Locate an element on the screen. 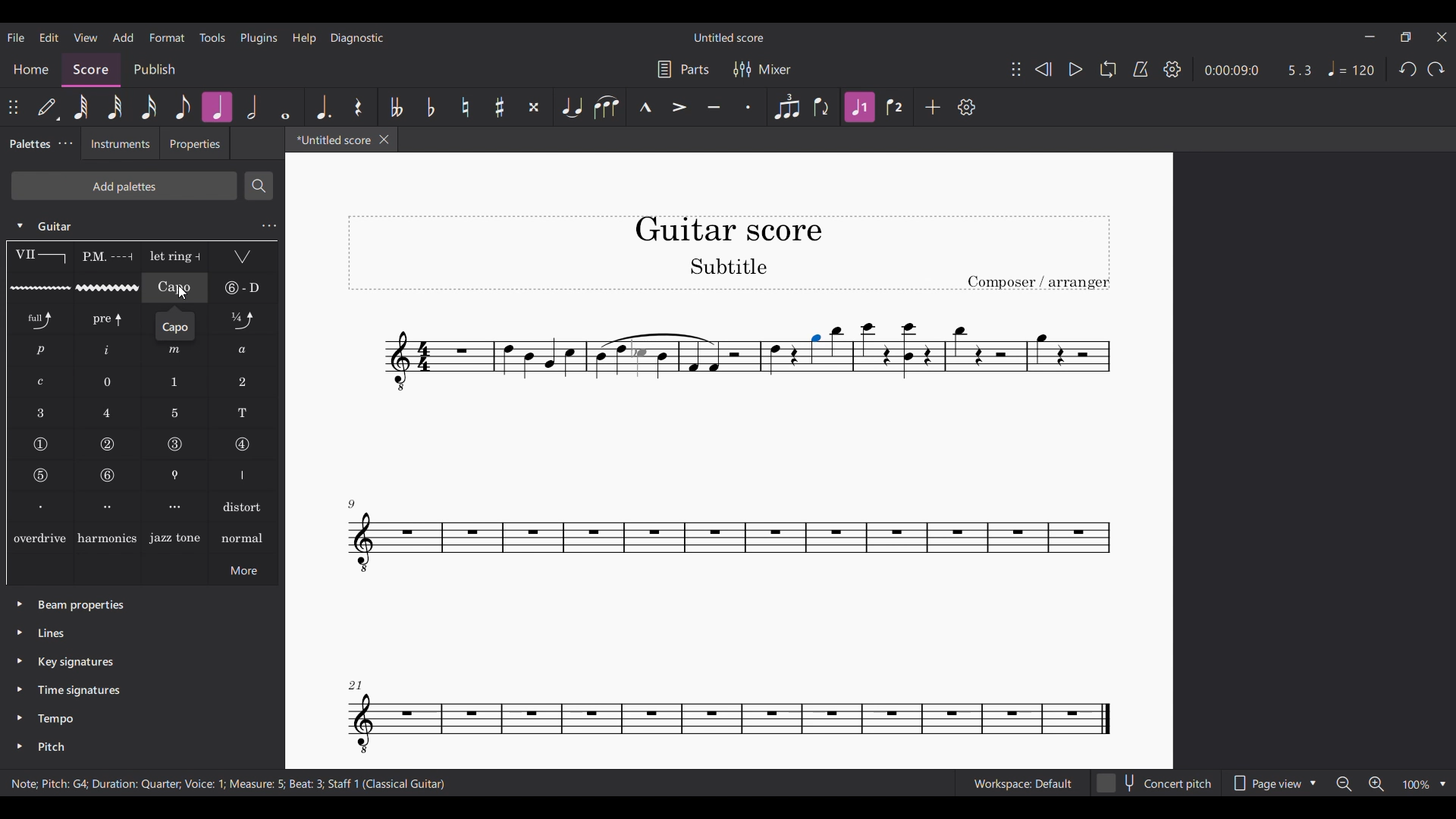 This screenshot has height=819, width=1456. String number 2 is located at coordinates (108, 444).